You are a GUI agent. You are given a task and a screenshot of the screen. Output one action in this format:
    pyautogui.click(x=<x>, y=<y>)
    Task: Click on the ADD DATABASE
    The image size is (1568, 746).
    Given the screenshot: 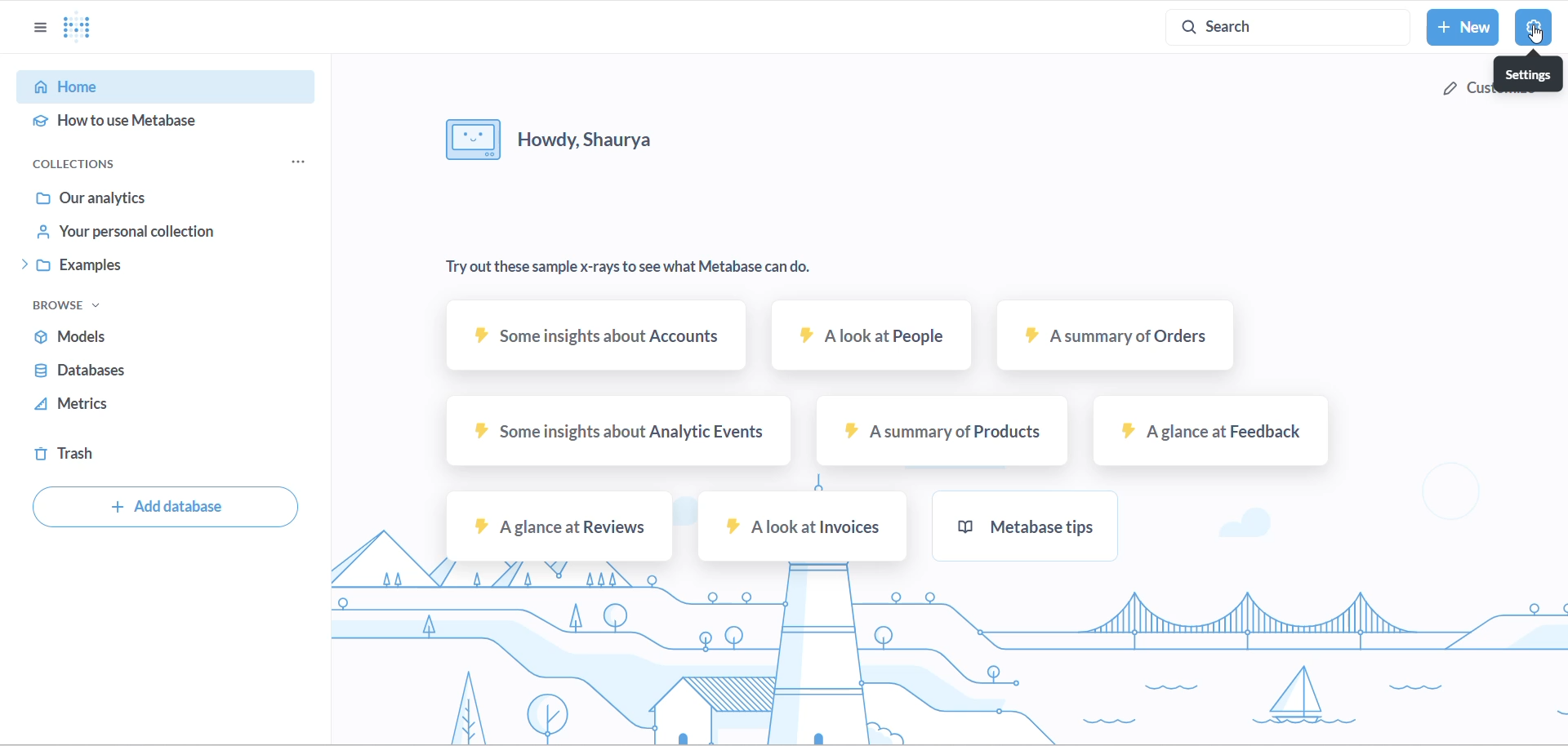 What is the action you would take?
    pyautogui.click(x=166, y=508)
    